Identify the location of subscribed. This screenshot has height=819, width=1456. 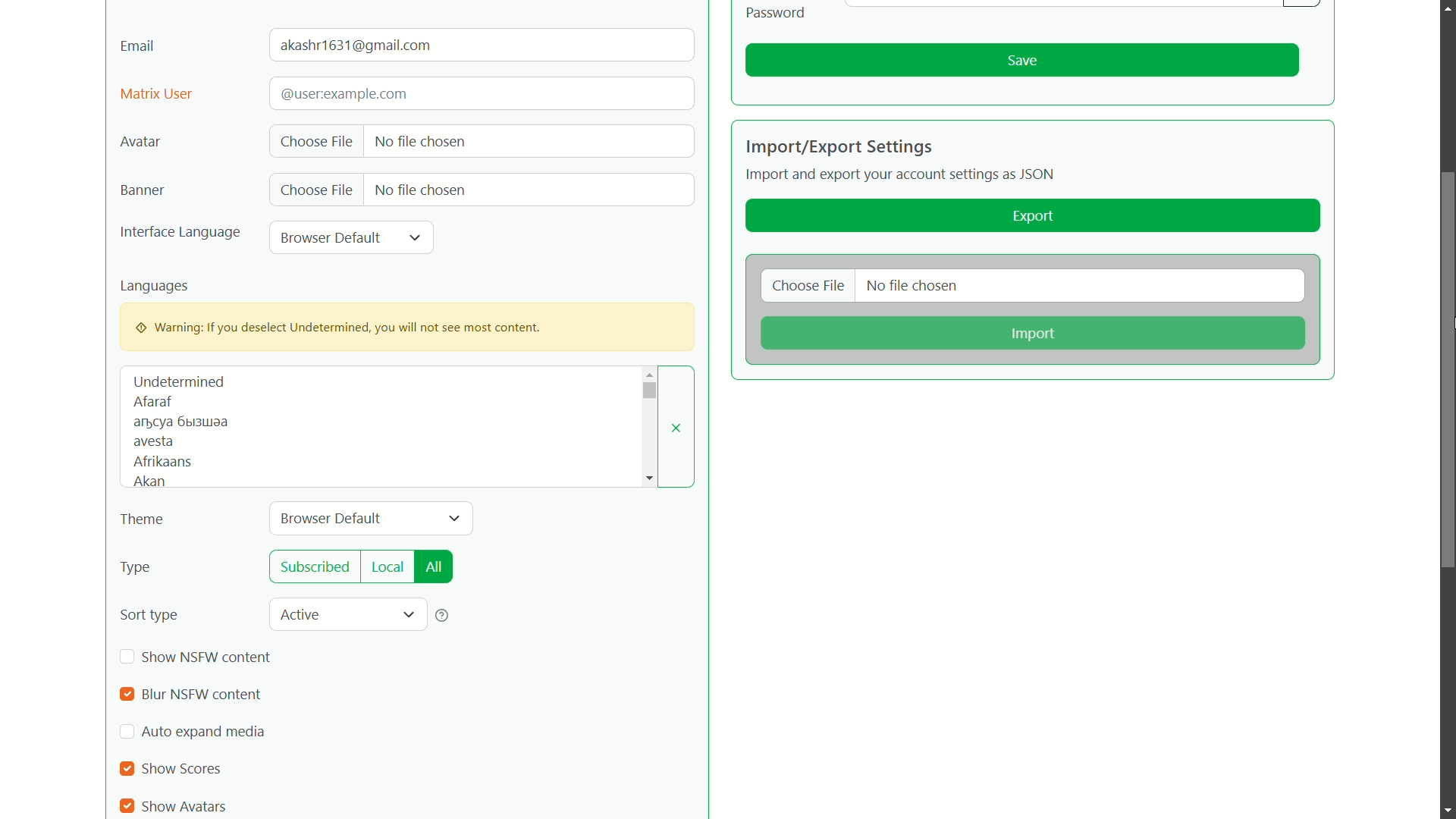
(316, 567).